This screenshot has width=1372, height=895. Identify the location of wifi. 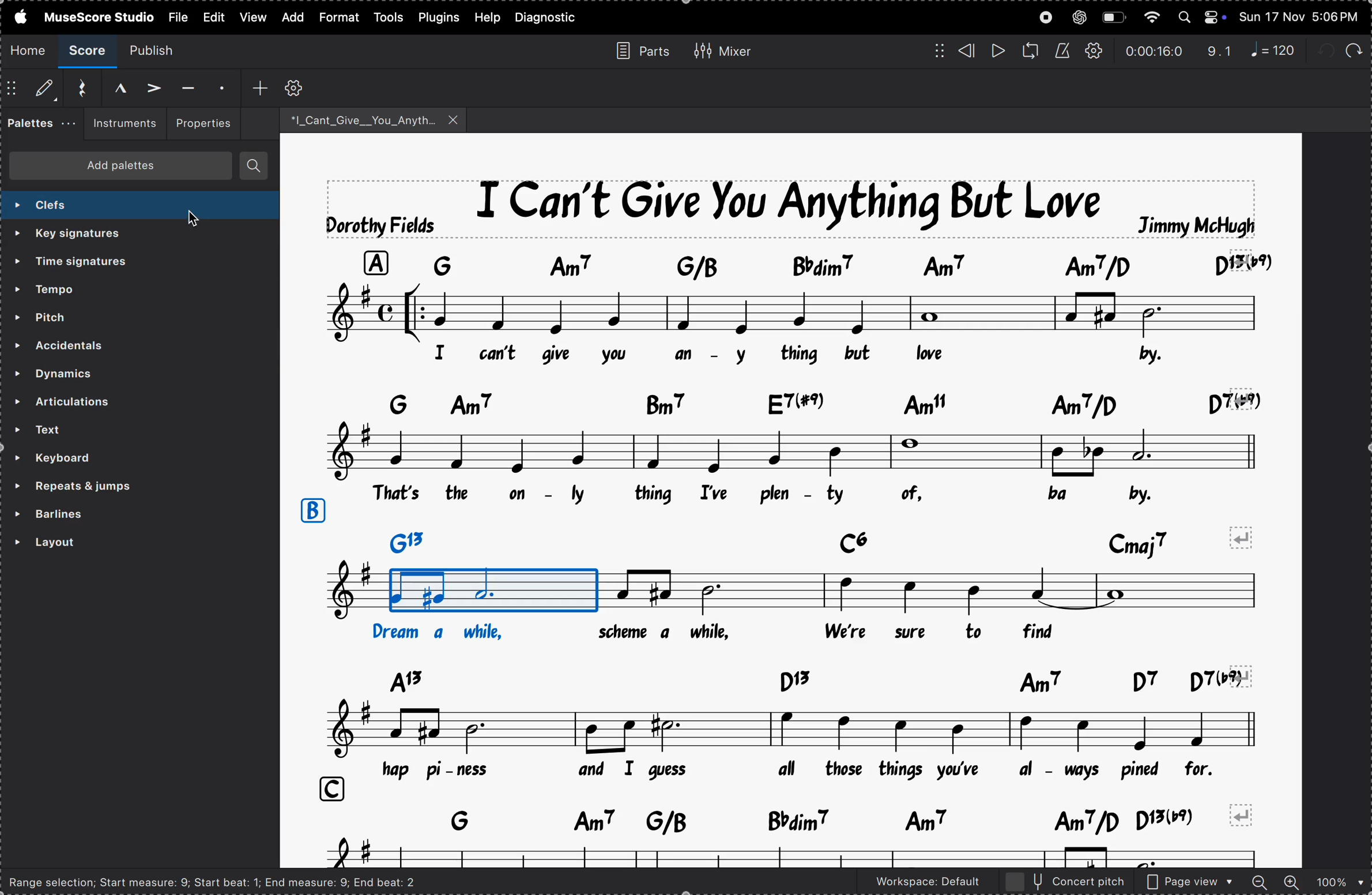
(1150, 18).